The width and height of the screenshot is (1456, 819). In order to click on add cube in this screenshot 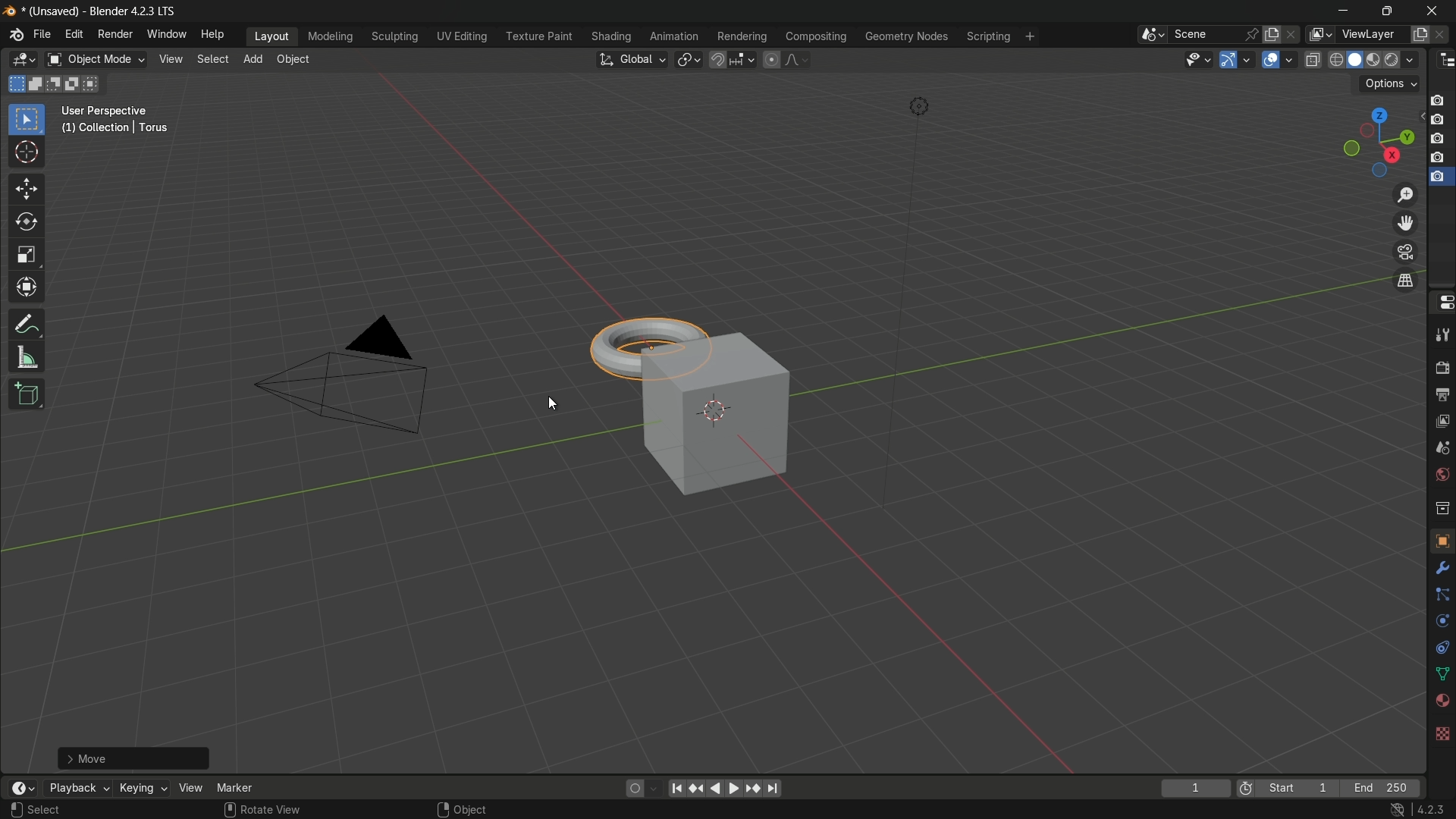, I will do `click(28, 394)`.